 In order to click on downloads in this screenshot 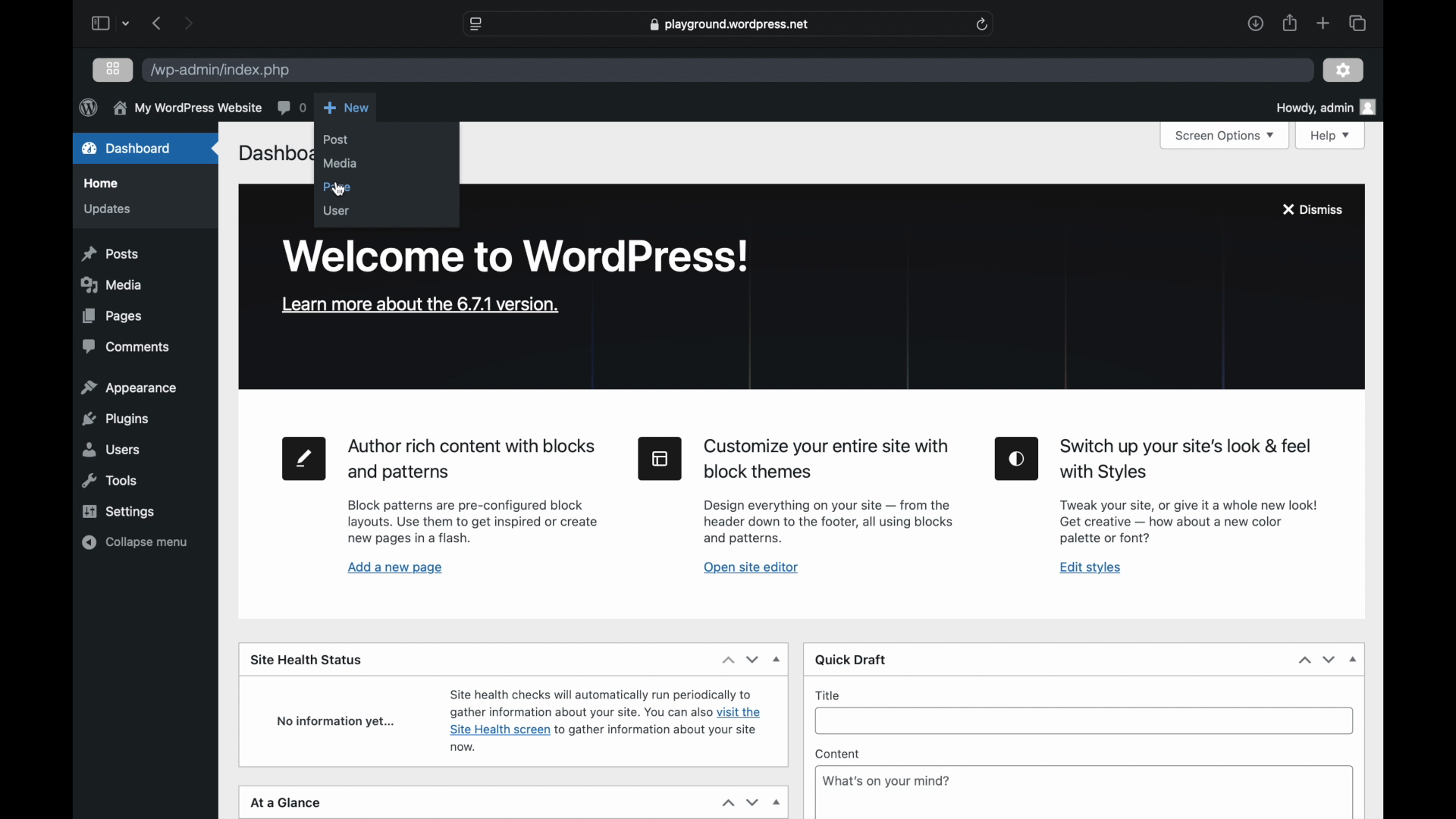, I will do `click(1256, 23)`.